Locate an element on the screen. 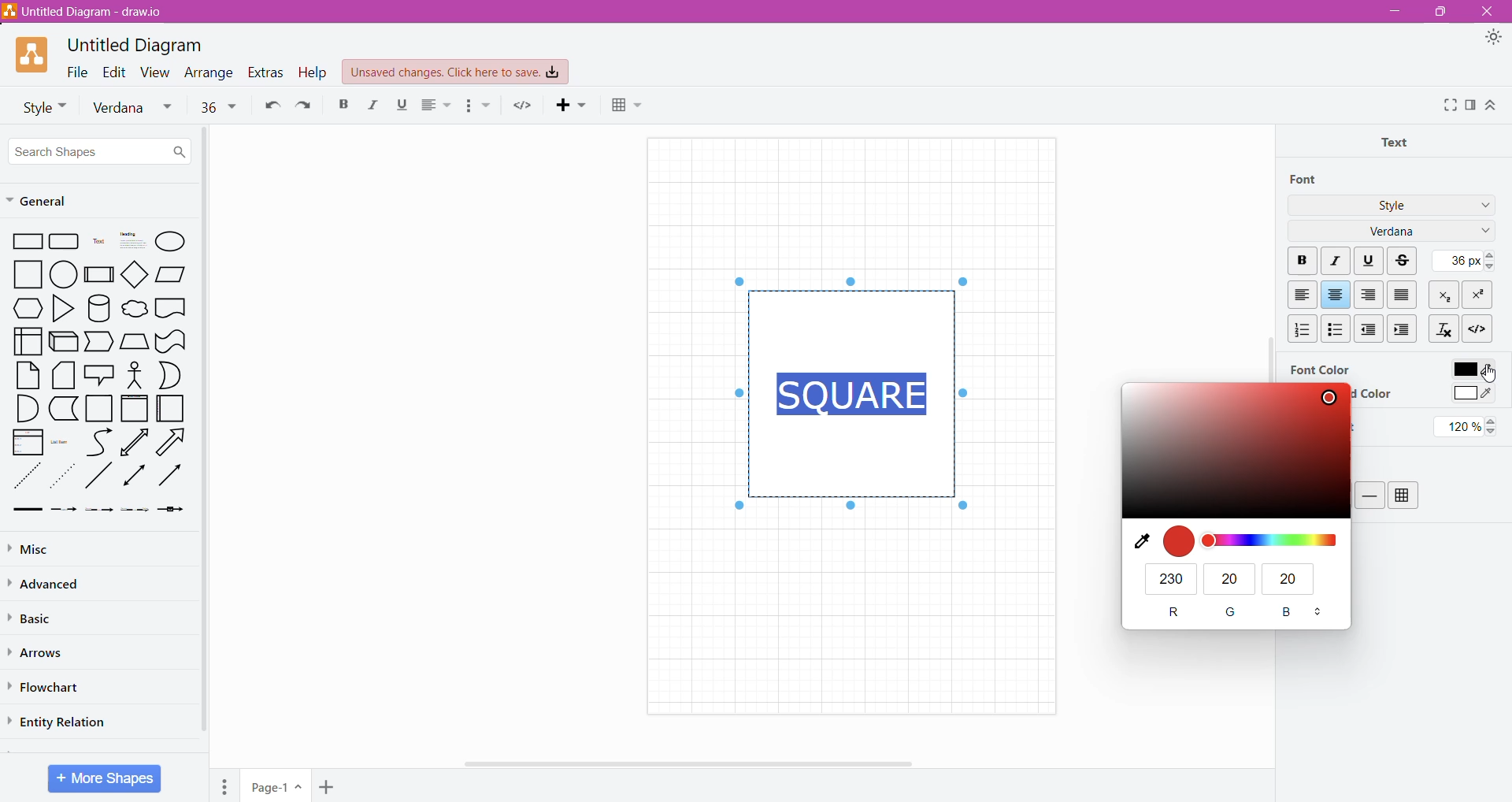 The height and width of the screenshot is (802, 1512). Dotted Arrow  is located at coordinates (62, 477).